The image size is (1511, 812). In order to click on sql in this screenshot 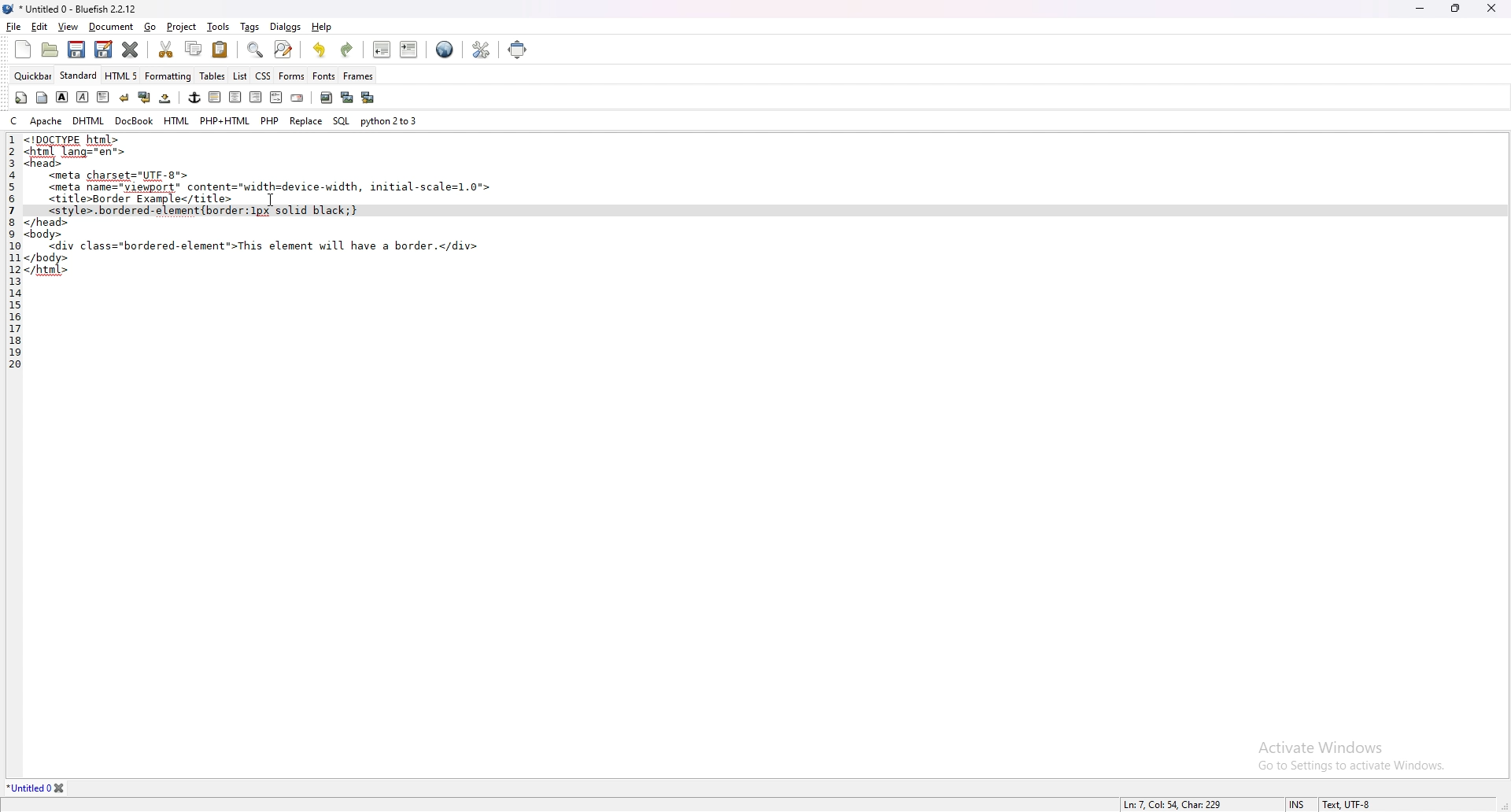, I will do `click(342, 121)`.